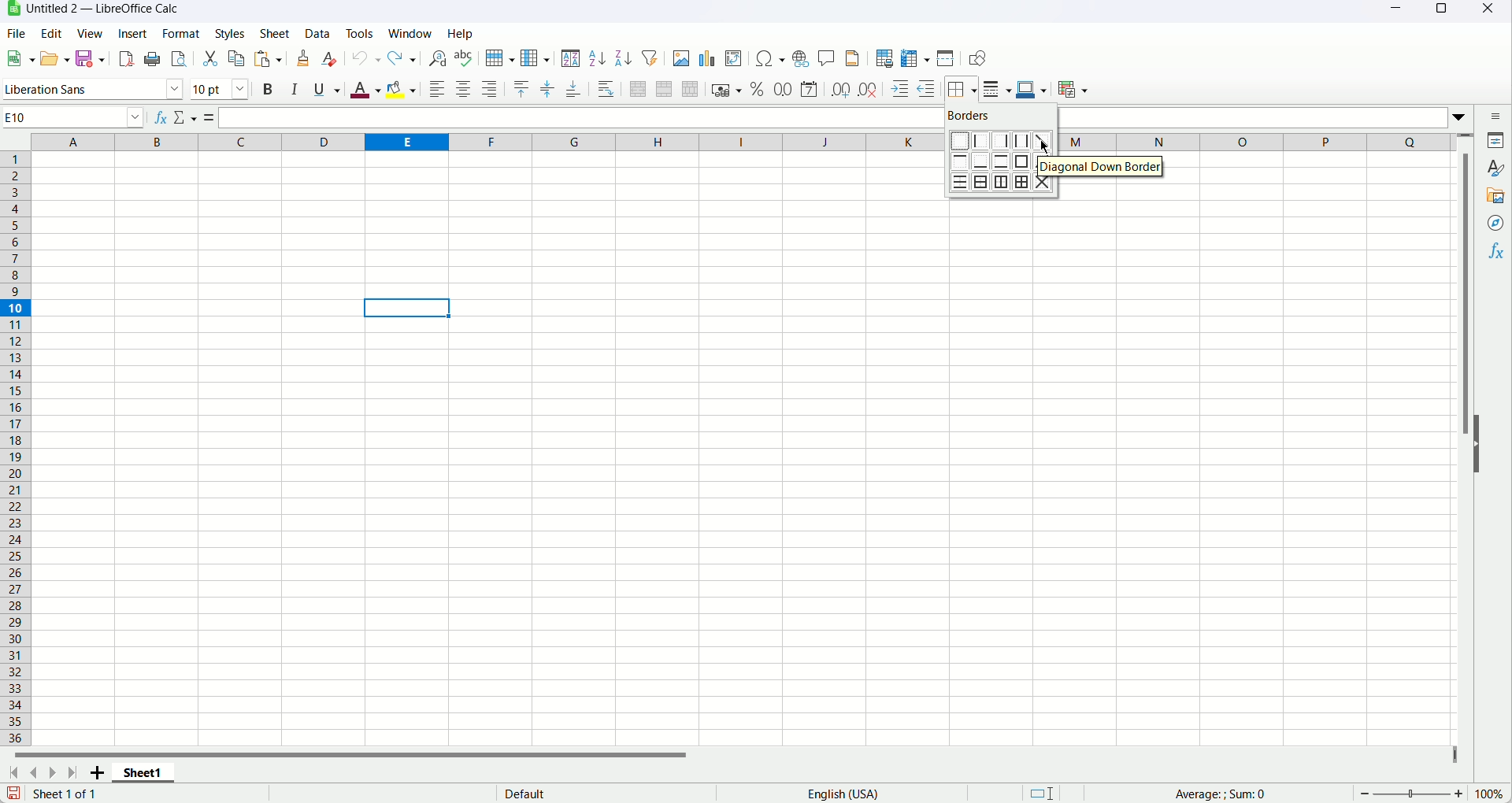  I want to click on No border, so click(958, 141).